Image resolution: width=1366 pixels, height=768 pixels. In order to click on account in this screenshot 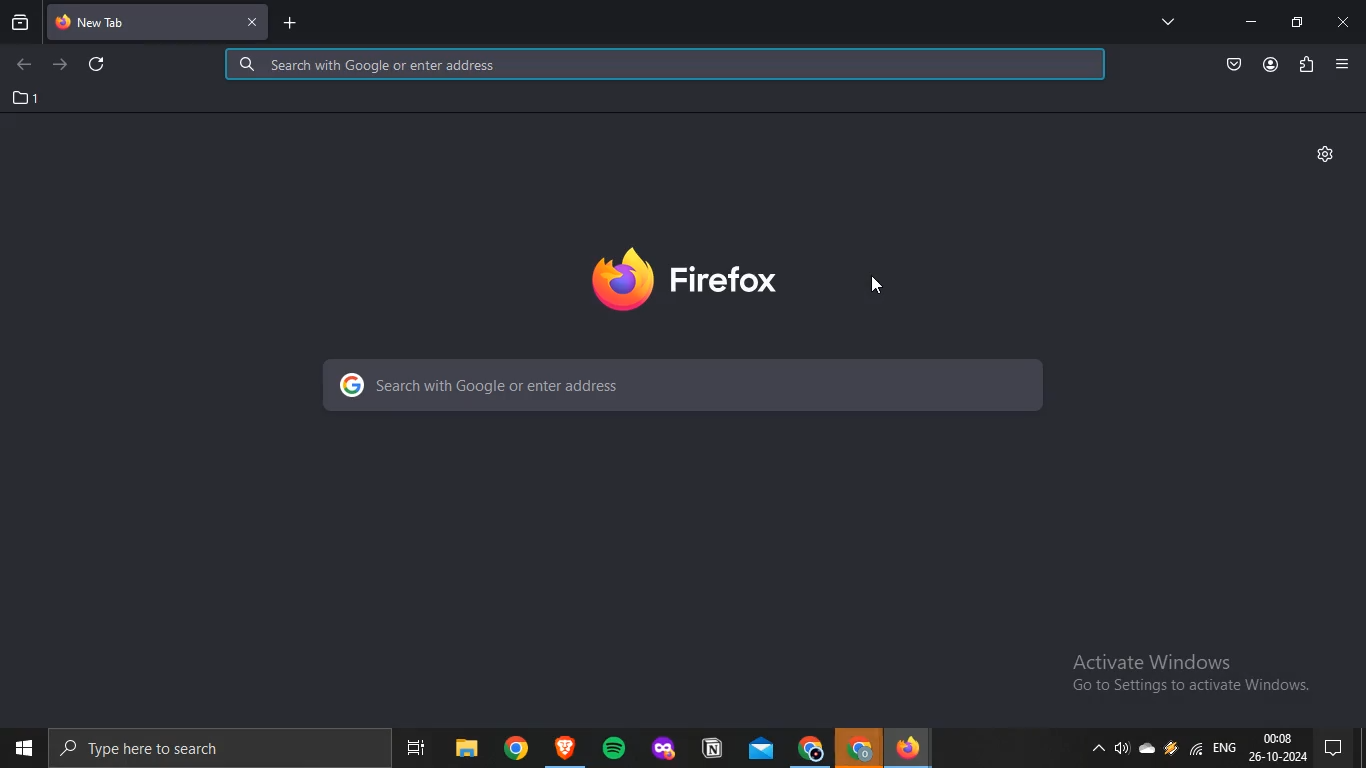, I will do `click(1271, 65)`.